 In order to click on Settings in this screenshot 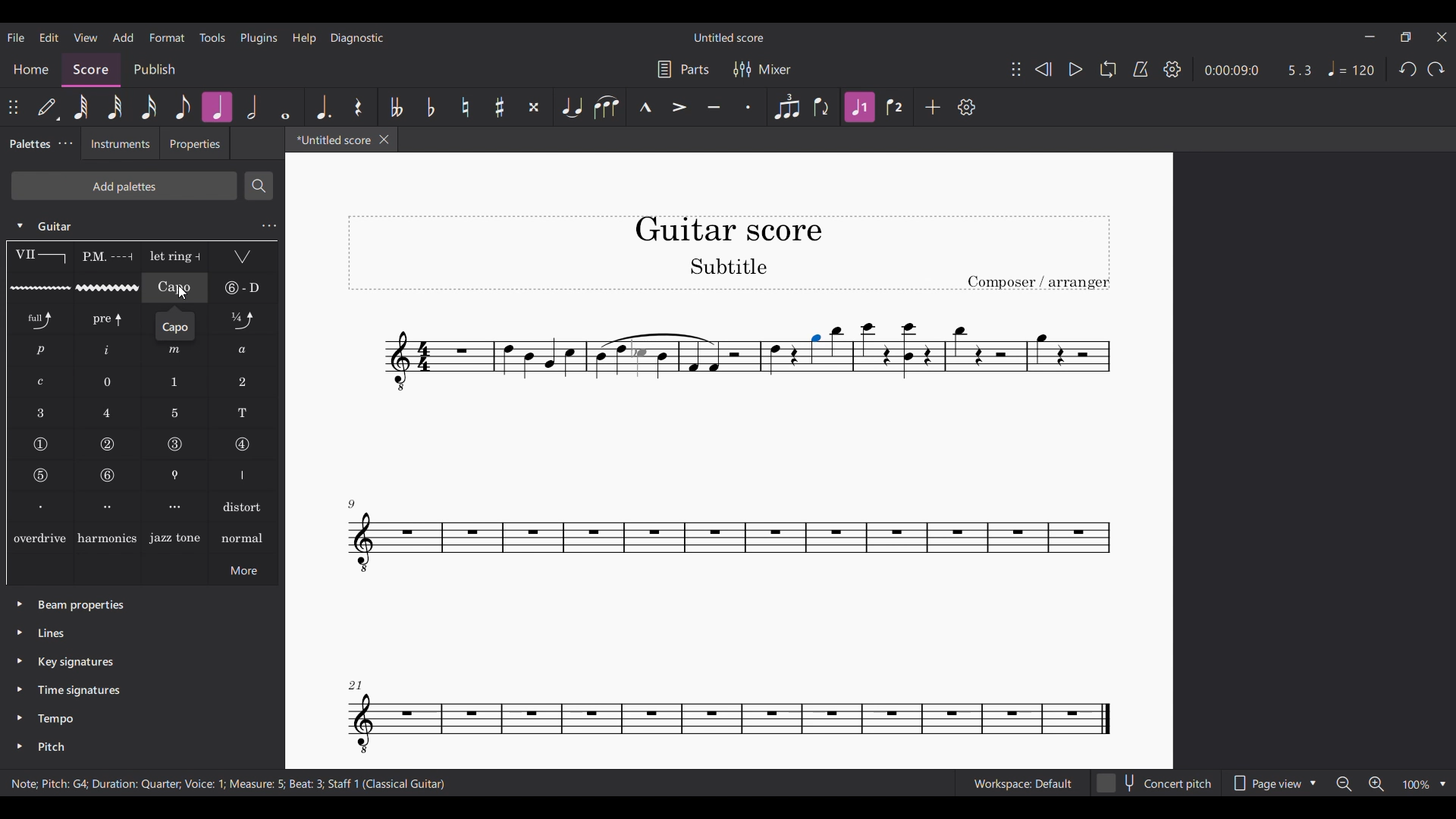, I will do `click(1172, 69)`.